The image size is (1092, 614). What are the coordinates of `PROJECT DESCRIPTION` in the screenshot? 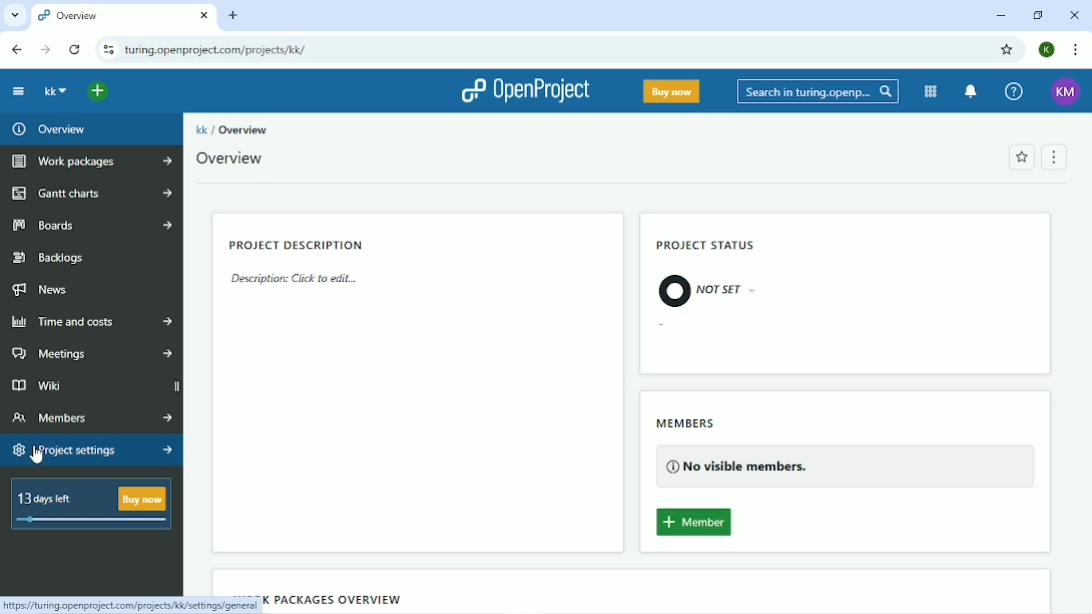 It's located at (296, 247).